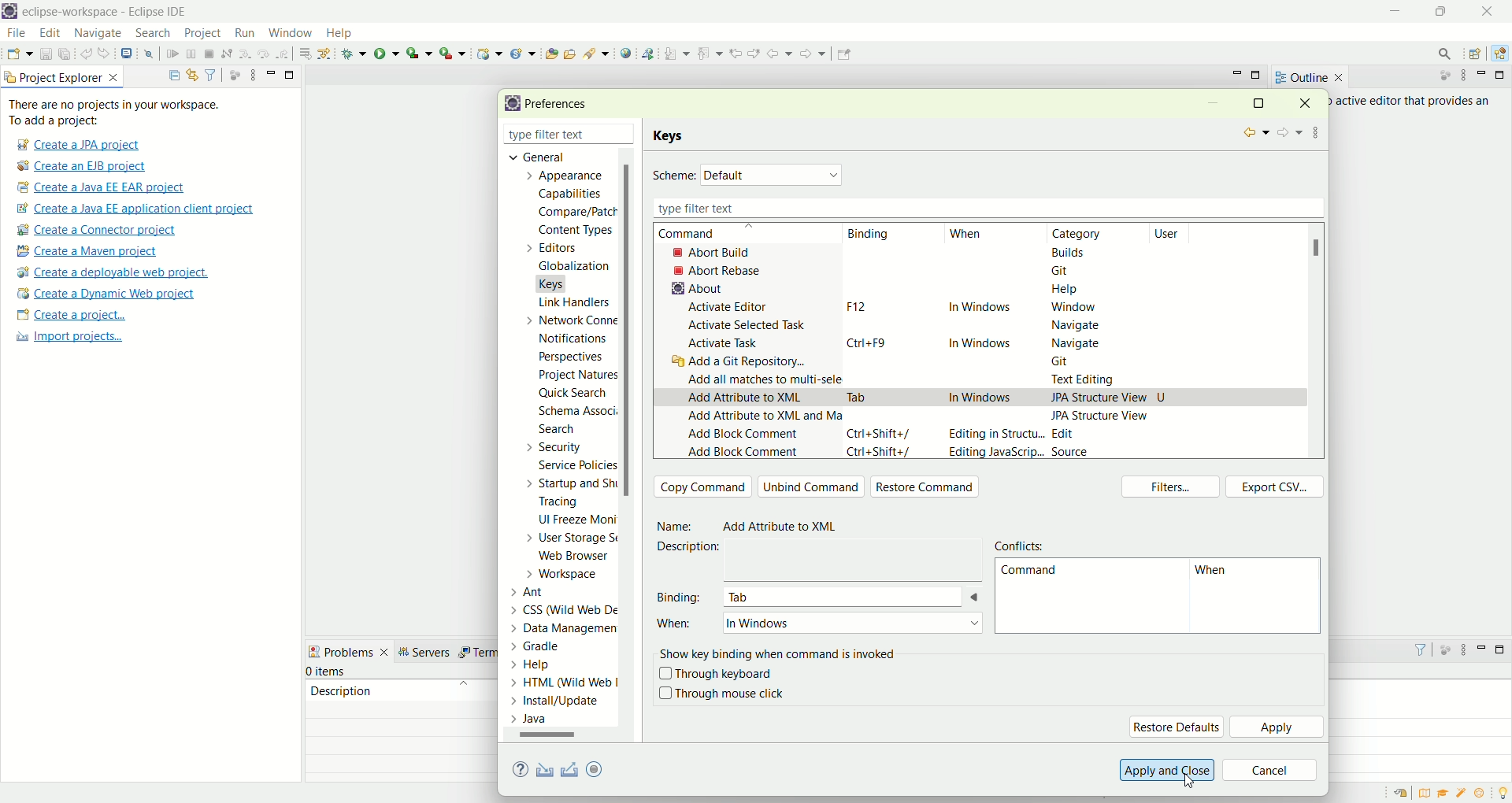 The image size is (1512, 803). What do you see at coordinates (852, 597) in the screenshot?
I see `tab` at bounding box center [852, 597].